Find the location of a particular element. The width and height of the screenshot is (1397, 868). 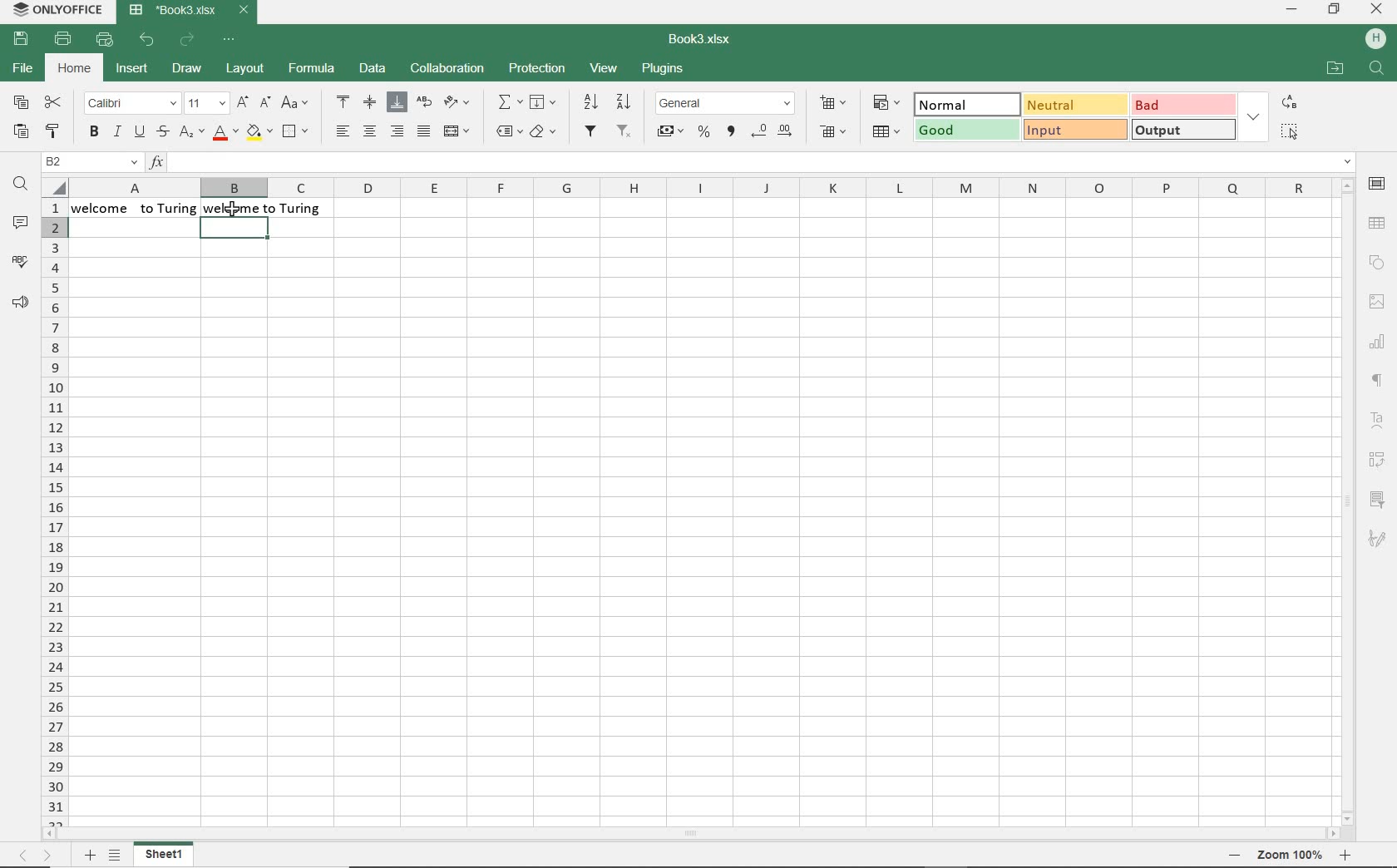

wrap text is located at coordinates (422, 101).